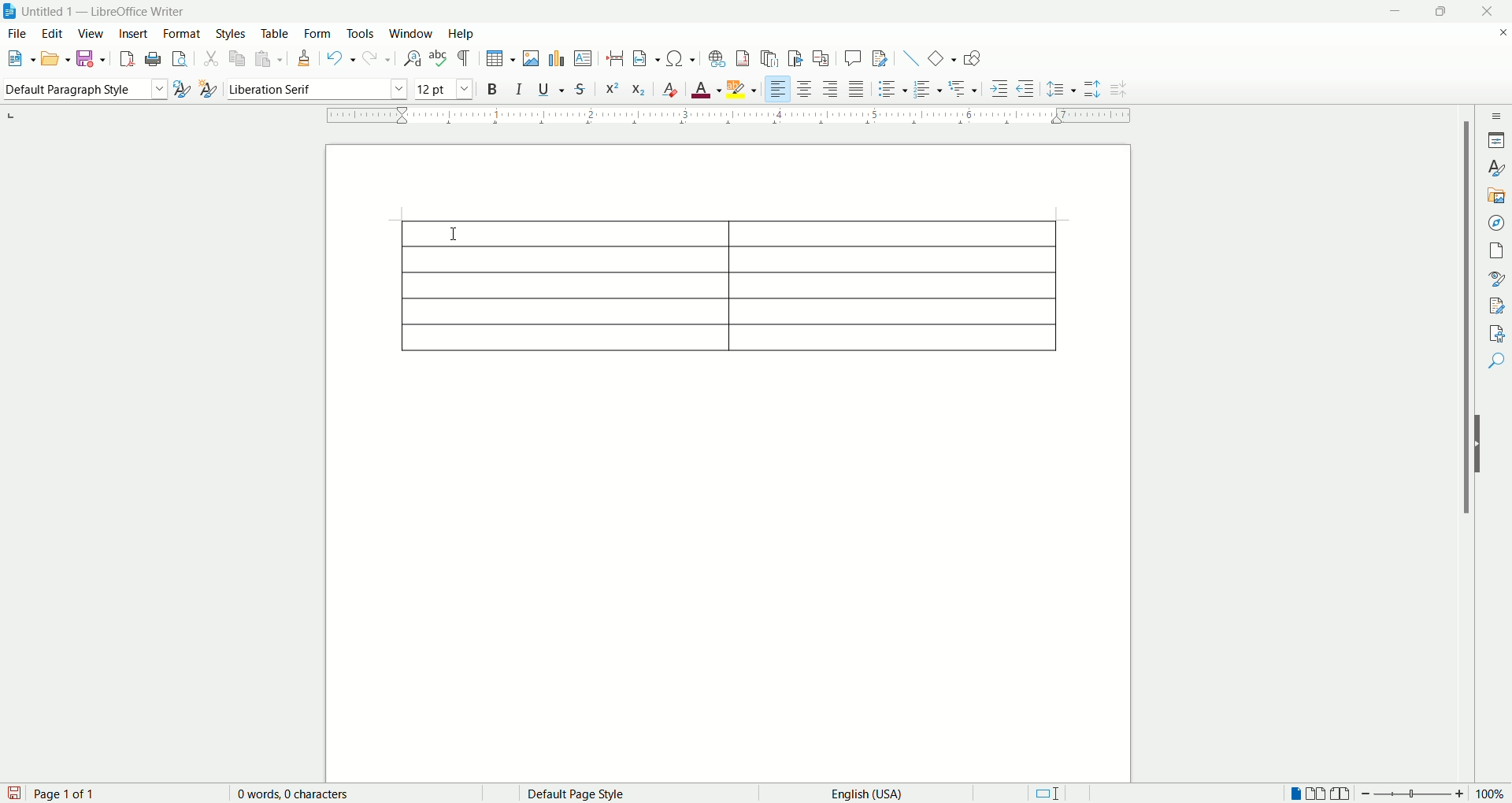 The image size is (1512, 803). I want to click on new style, so click(207, 91).